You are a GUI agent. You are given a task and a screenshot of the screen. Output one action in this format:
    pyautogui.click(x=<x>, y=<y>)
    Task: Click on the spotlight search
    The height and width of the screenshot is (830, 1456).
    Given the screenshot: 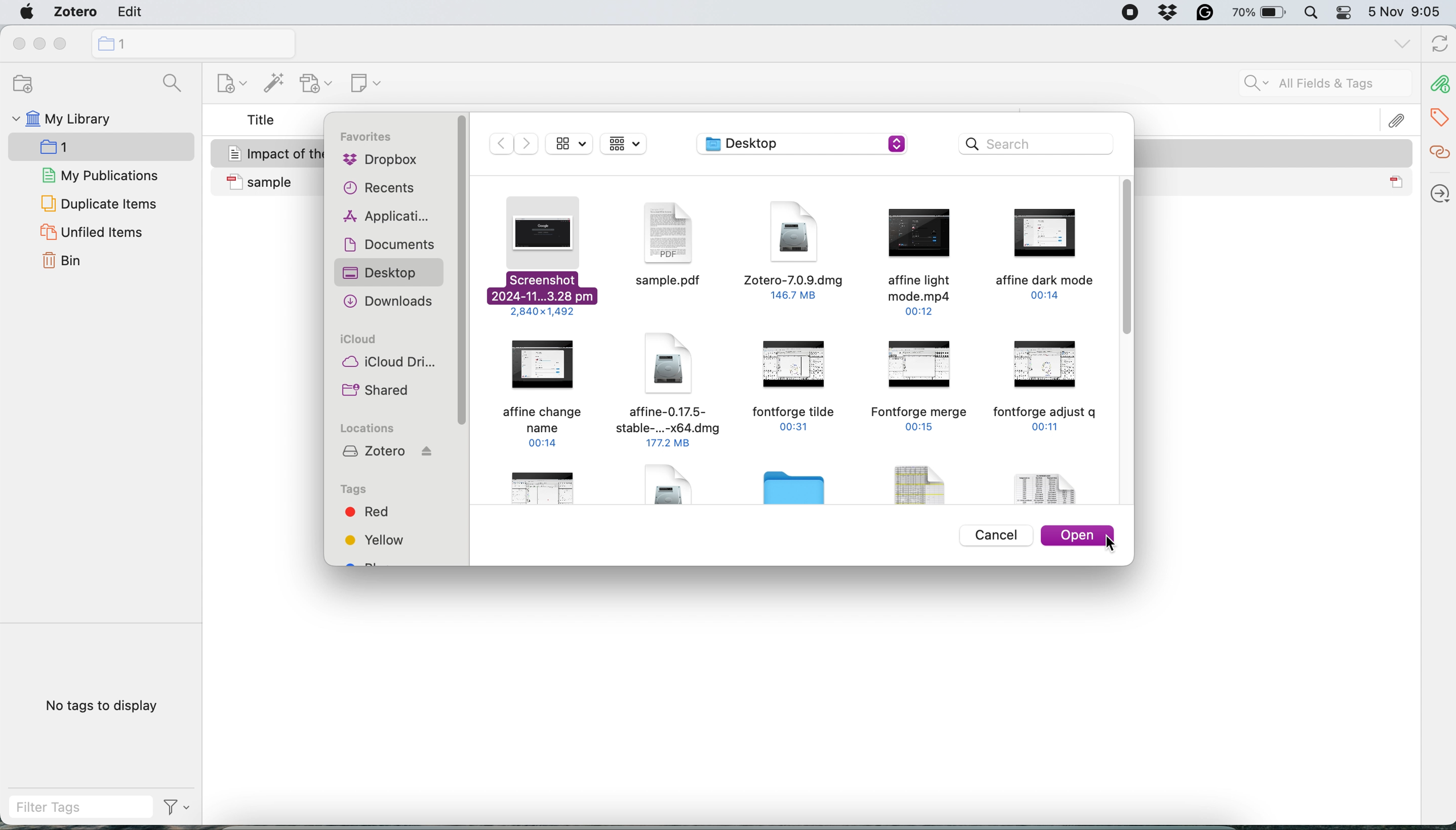 What is the action you would take?
    pyautogui.click(x=1311, y=14)
    